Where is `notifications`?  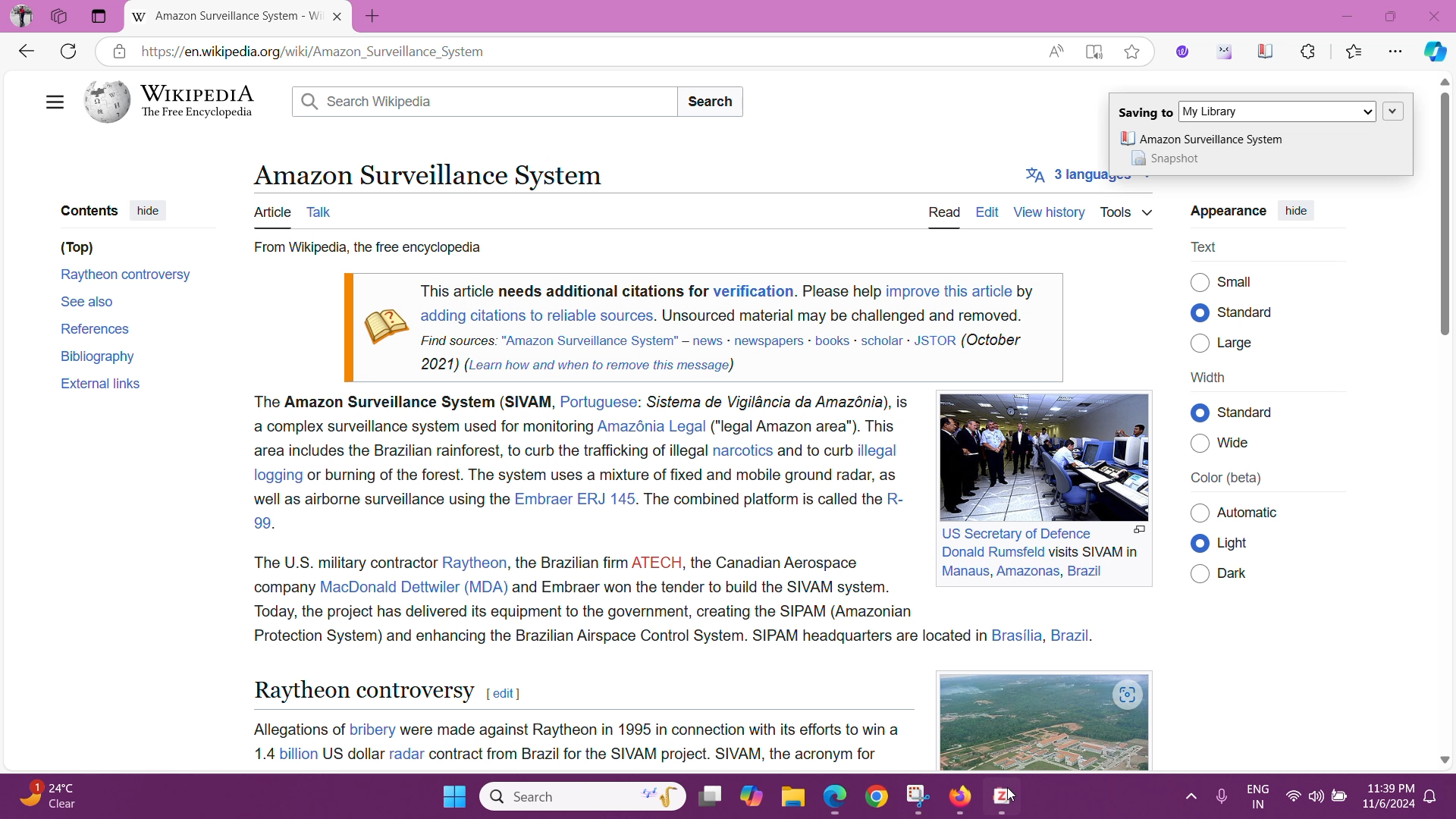 notifications is located at coordinates (1430, 797).